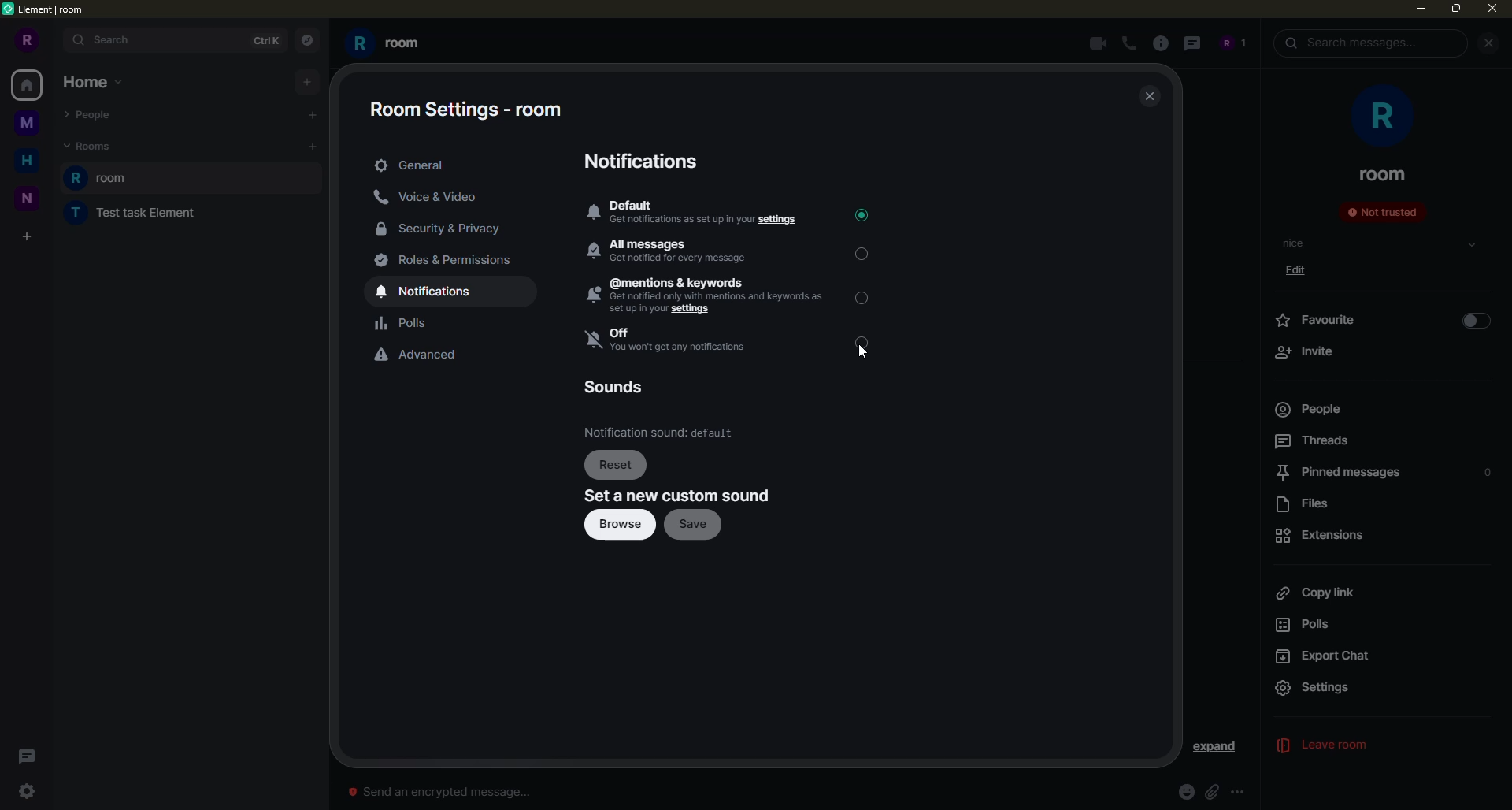 The image size is (1512, 810). I want to click on invite, so click(1304, 351).